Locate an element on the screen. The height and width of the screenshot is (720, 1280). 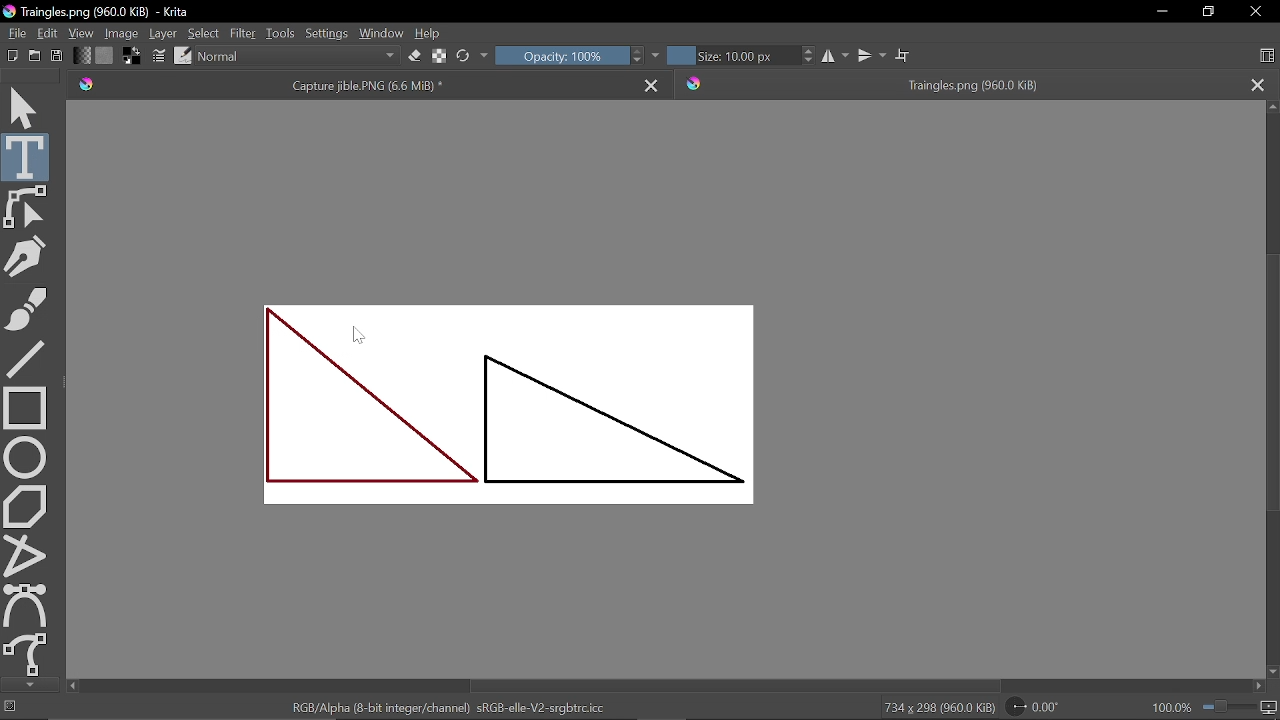
vertical scrollbar is located at coordinates (1269, 379).